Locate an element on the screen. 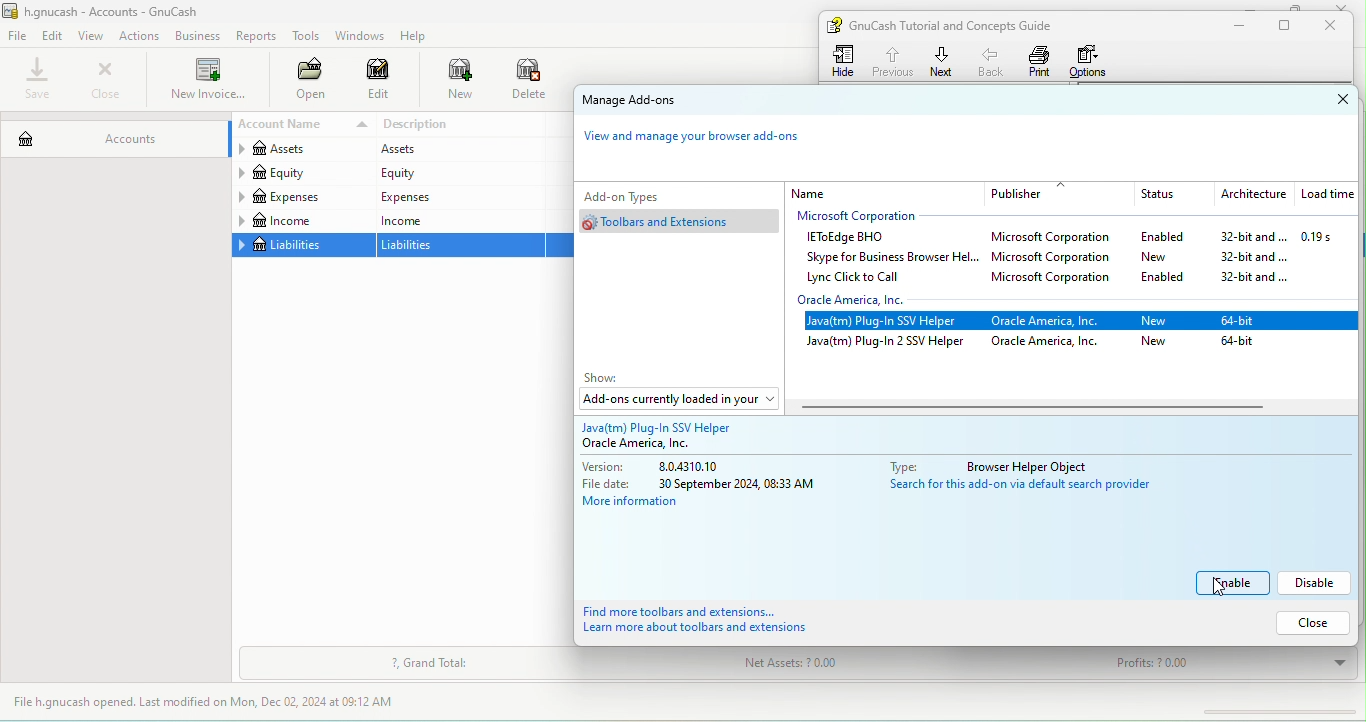 The image size is (1366, 722). disable is located at coordinates (1316, 583).